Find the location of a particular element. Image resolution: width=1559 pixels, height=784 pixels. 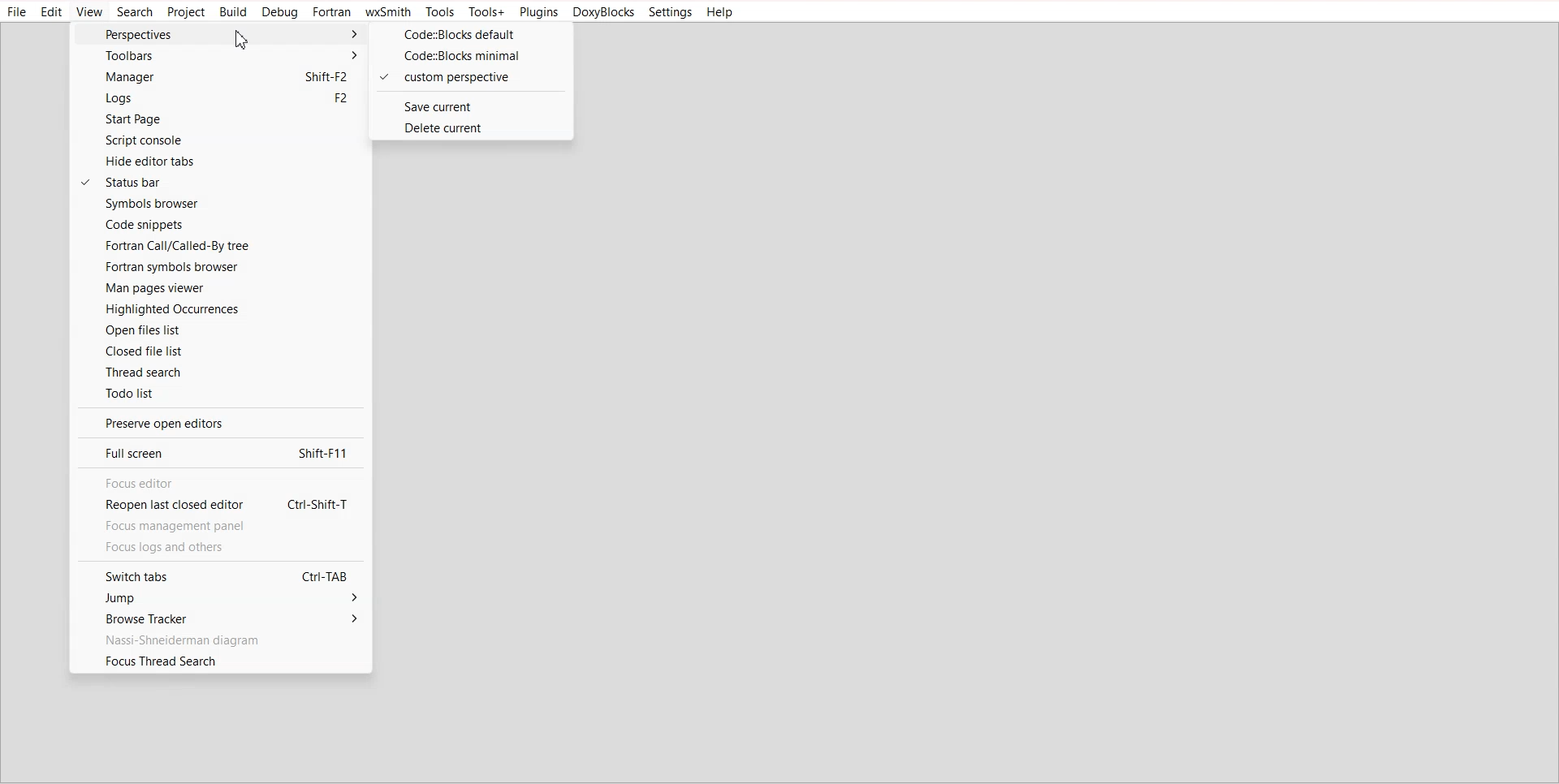

Custom perspective is located at coordinates (469, 78).